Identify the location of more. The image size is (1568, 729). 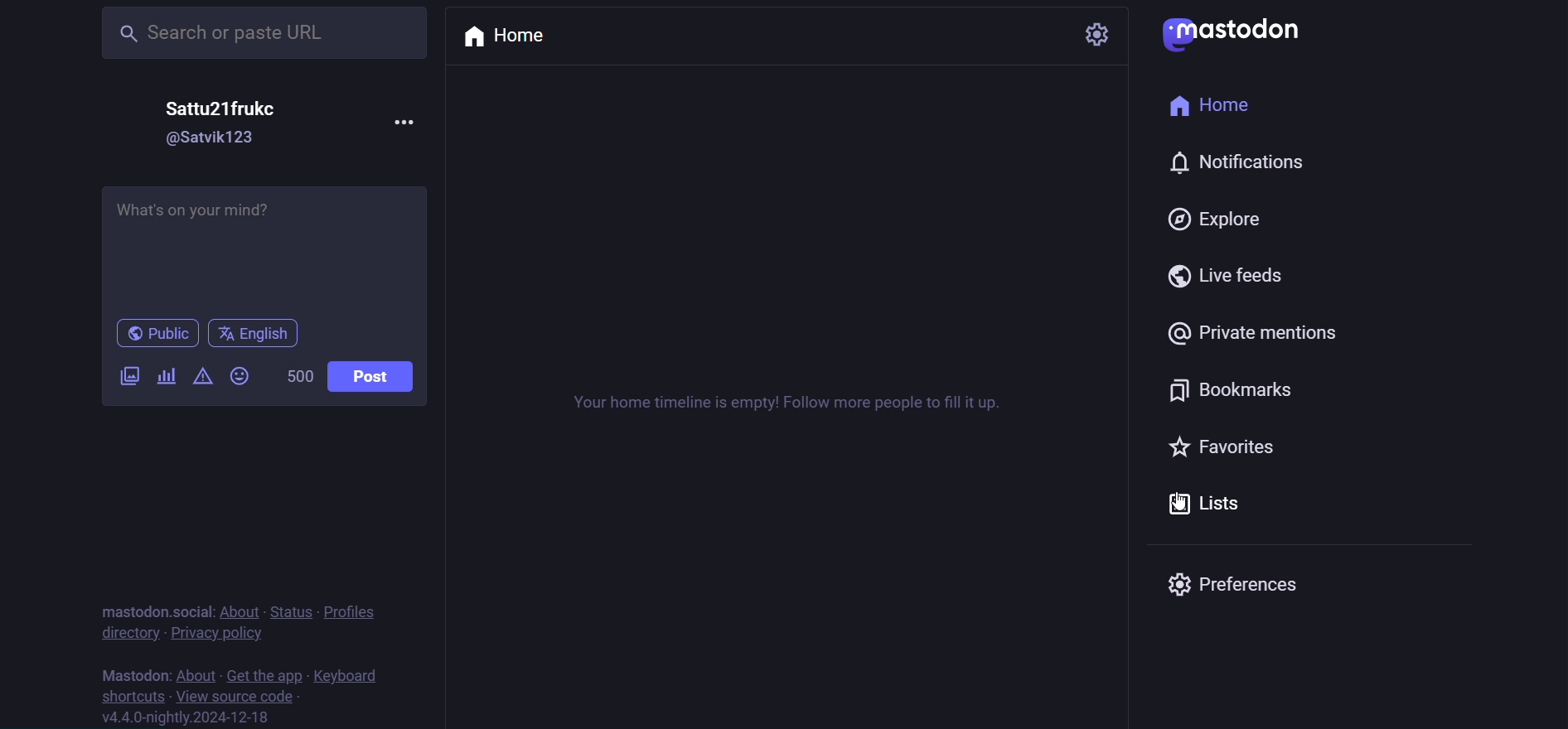
(410, 121).